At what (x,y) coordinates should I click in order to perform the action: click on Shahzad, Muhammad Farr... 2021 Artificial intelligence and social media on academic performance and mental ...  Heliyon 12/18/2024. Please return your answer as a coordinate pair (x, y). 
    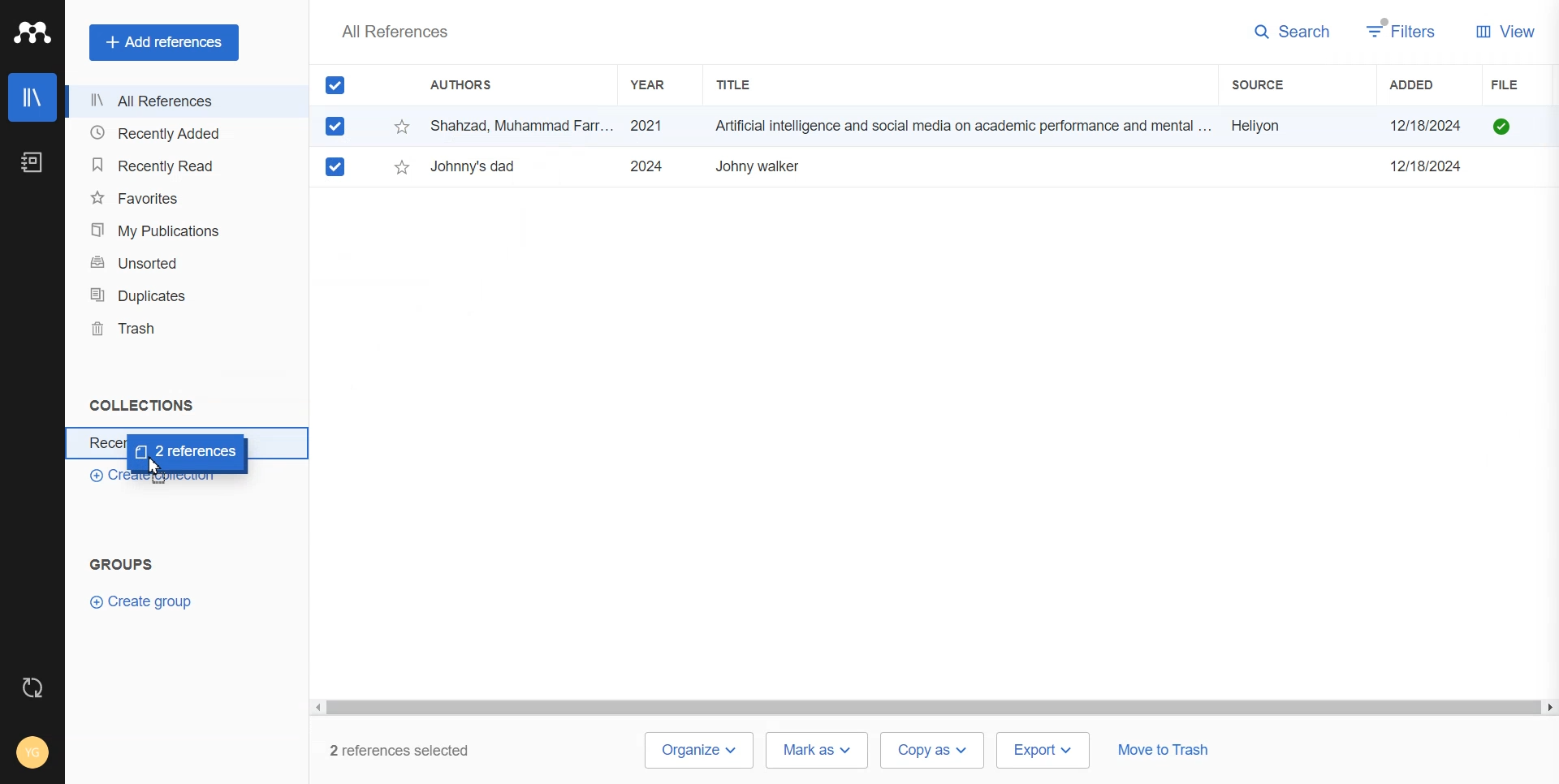
    Looking at the image, I should click on (952, 127).